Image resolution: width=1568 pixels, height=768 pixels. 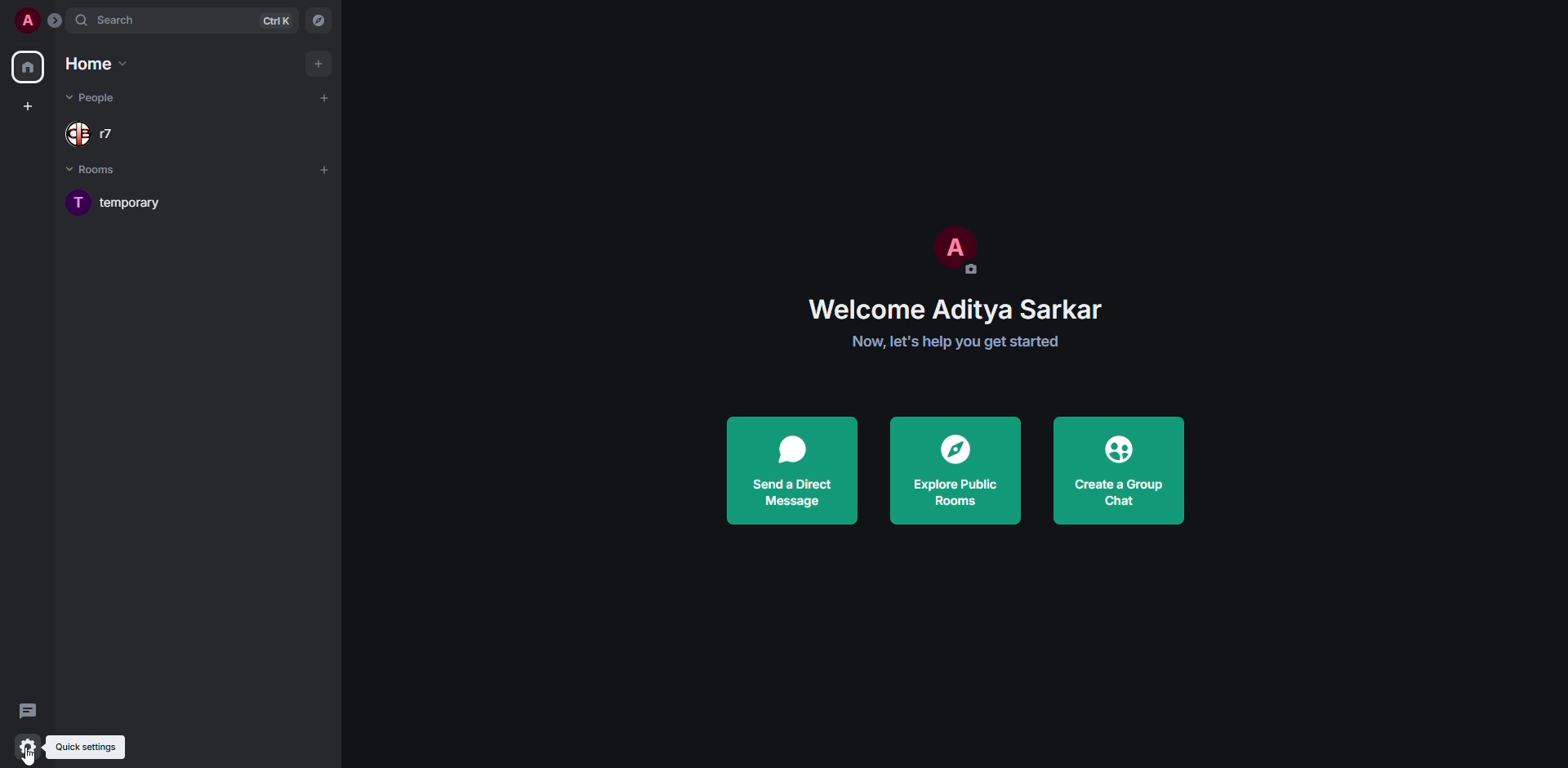 I want to click on people, so click(x=94, y=98).